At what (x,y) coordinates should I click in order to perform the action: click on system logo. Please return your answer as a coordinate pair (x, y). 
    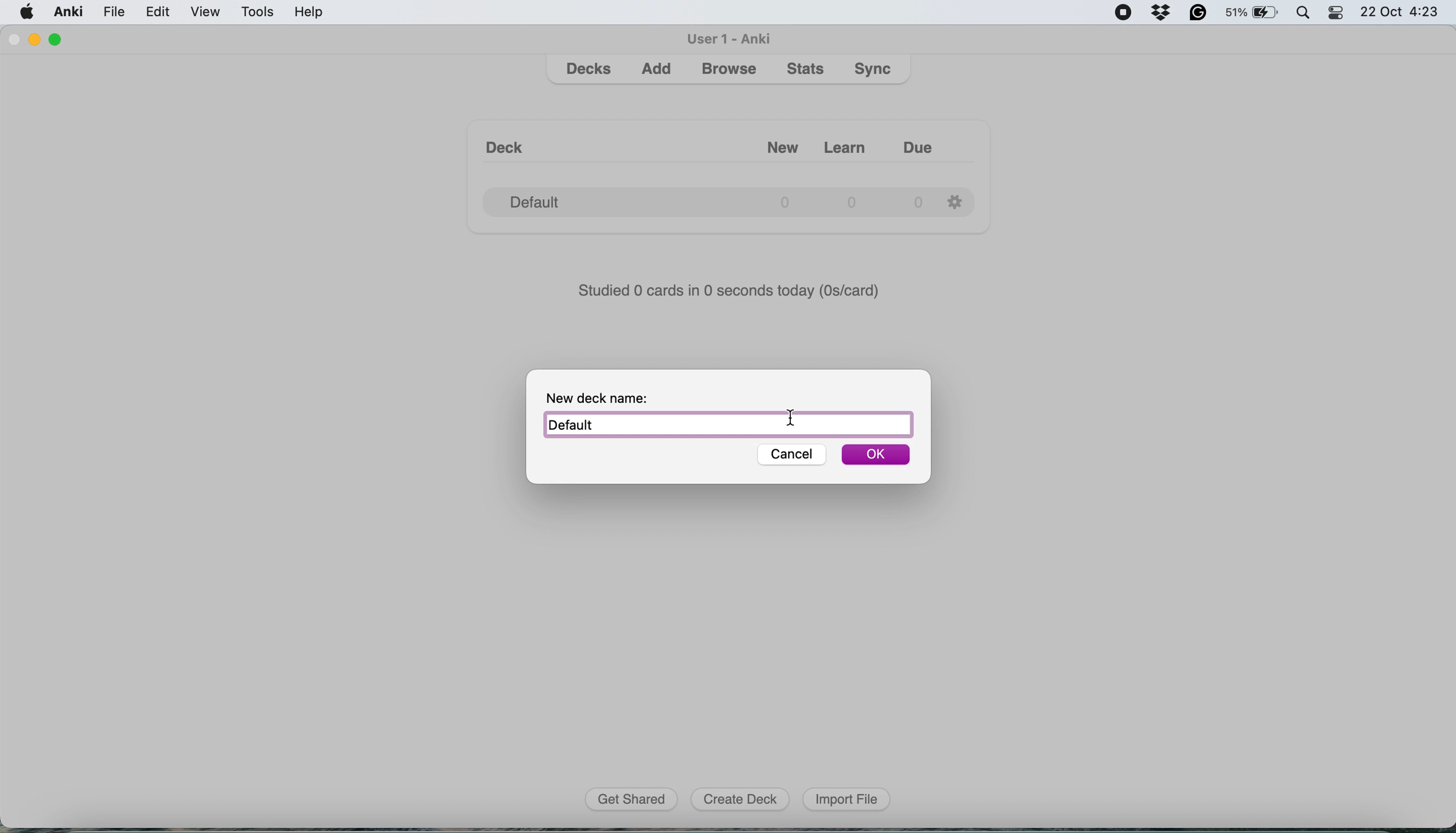
    Looking at the image, I should click on (27, 13).